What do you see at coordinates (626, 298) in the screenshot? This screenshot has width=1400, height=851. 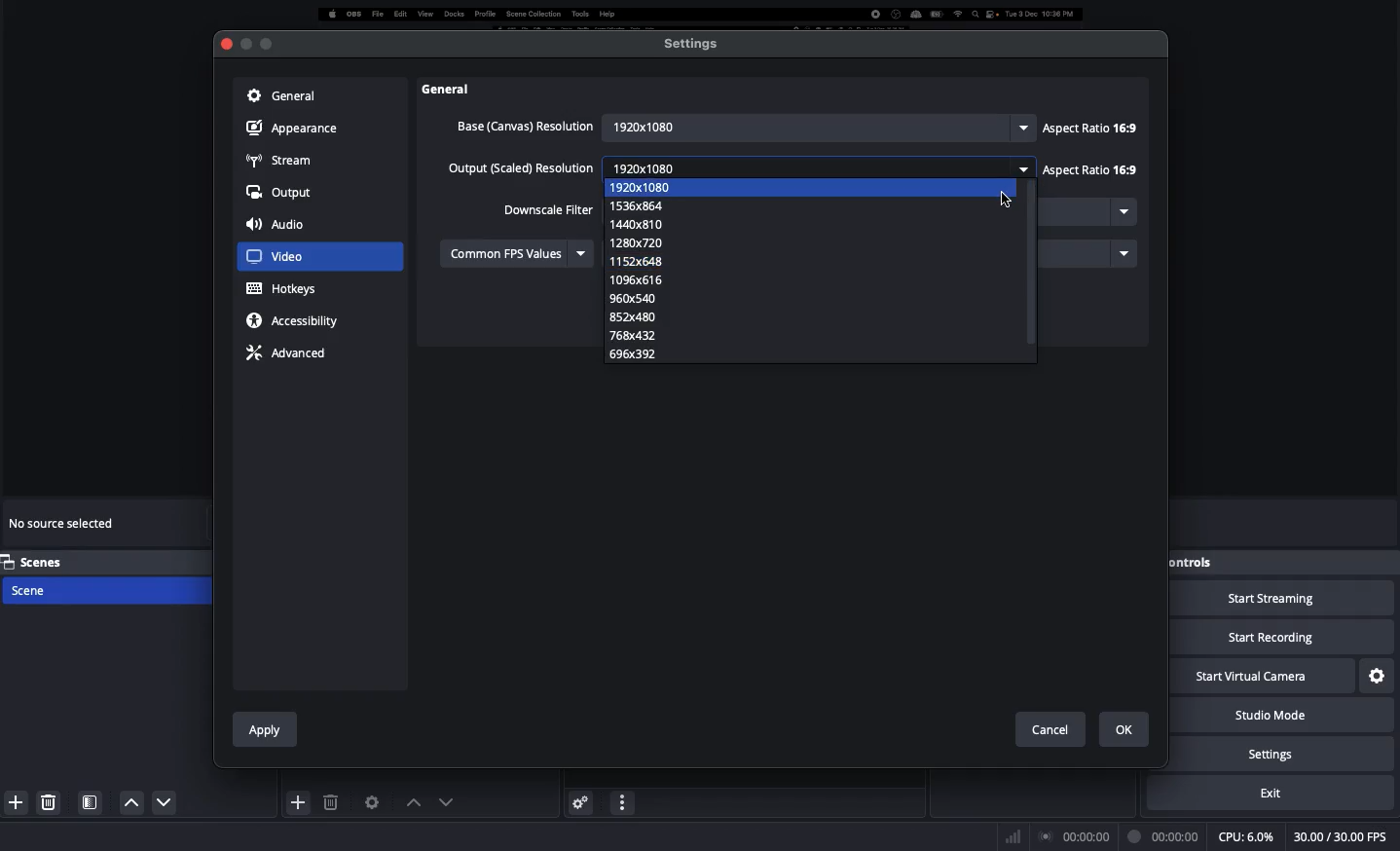 I see `960x540` at bounding box center [626, 298].